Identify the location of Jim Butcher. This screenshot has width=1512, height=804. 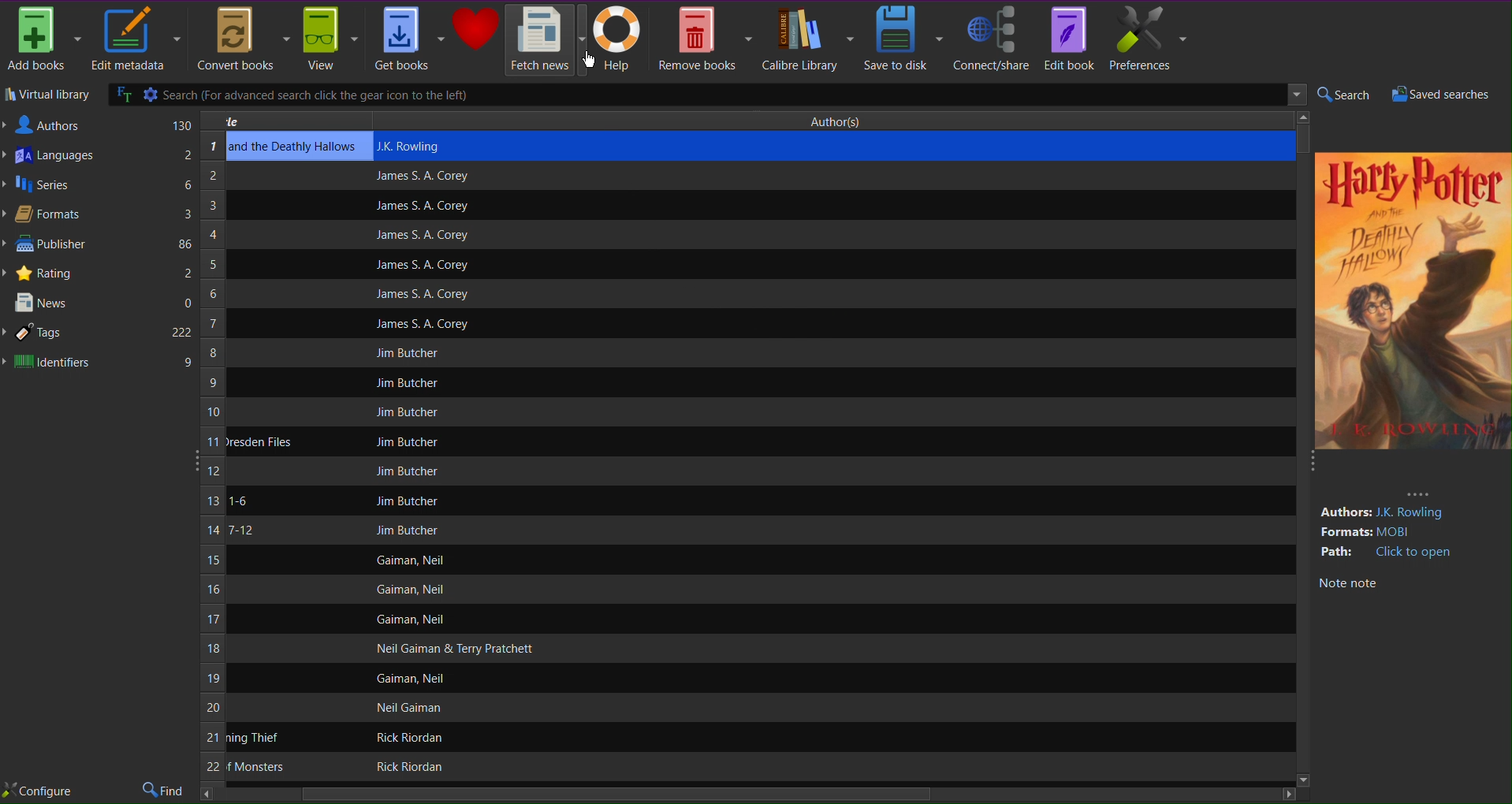
(411, 441).